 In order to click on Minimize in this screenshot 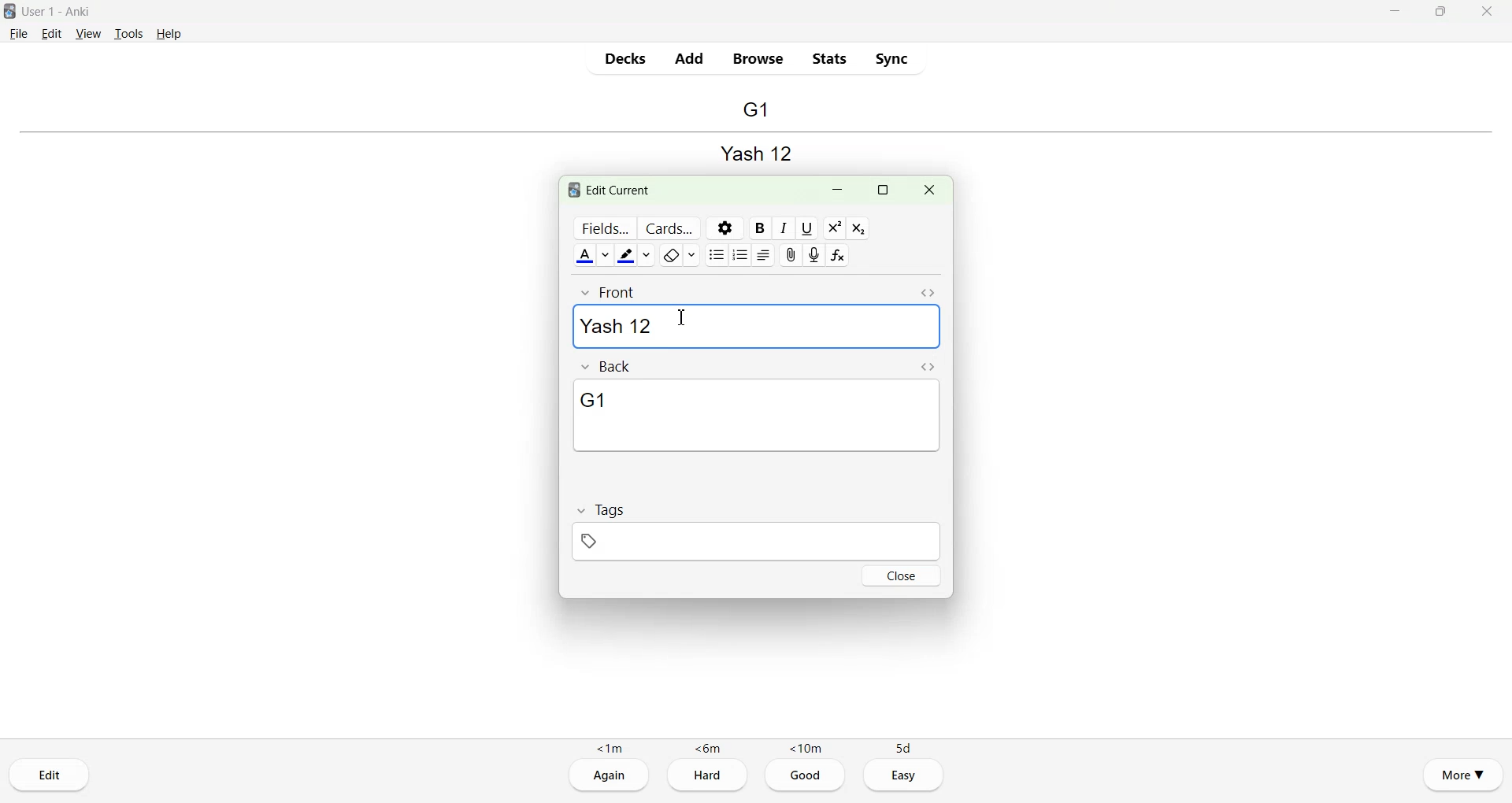, I will do `click(1397, 11)`.